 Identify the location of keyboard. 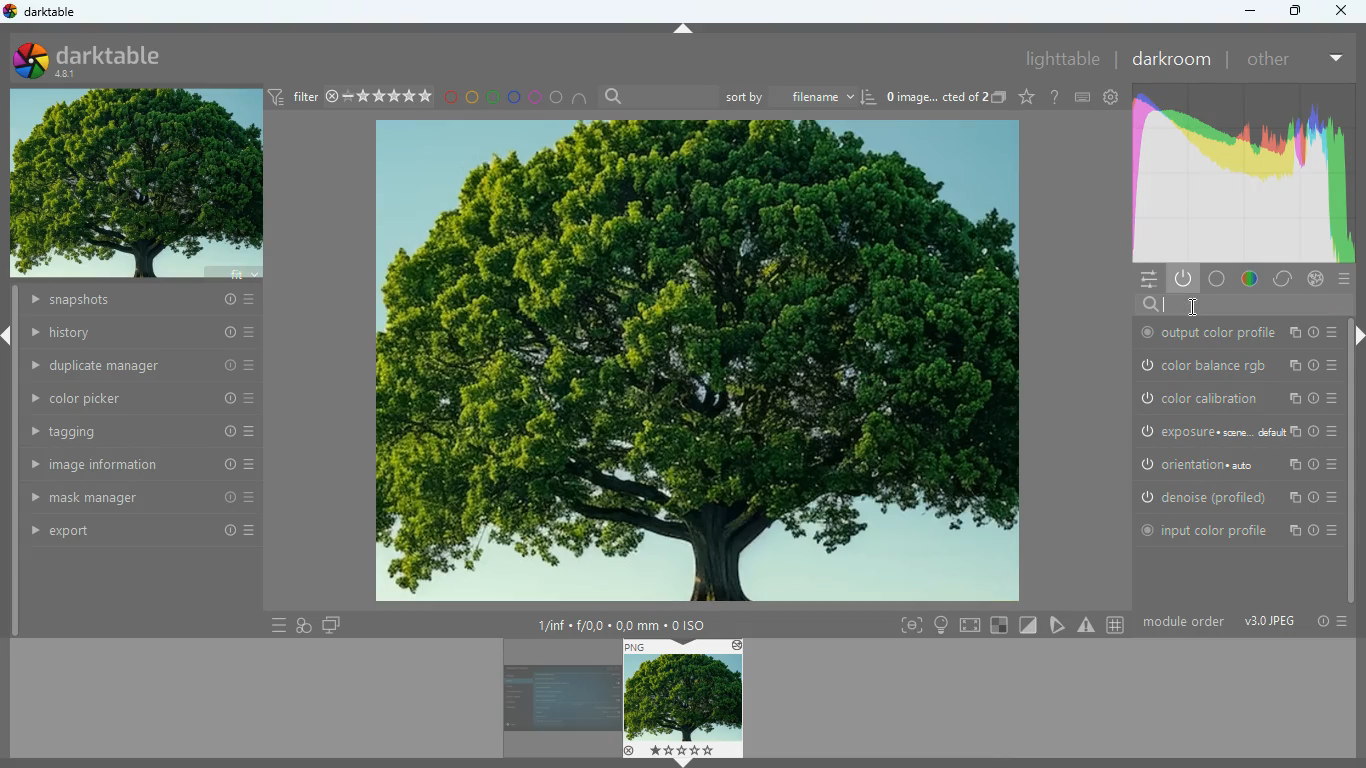
(1082, 98).